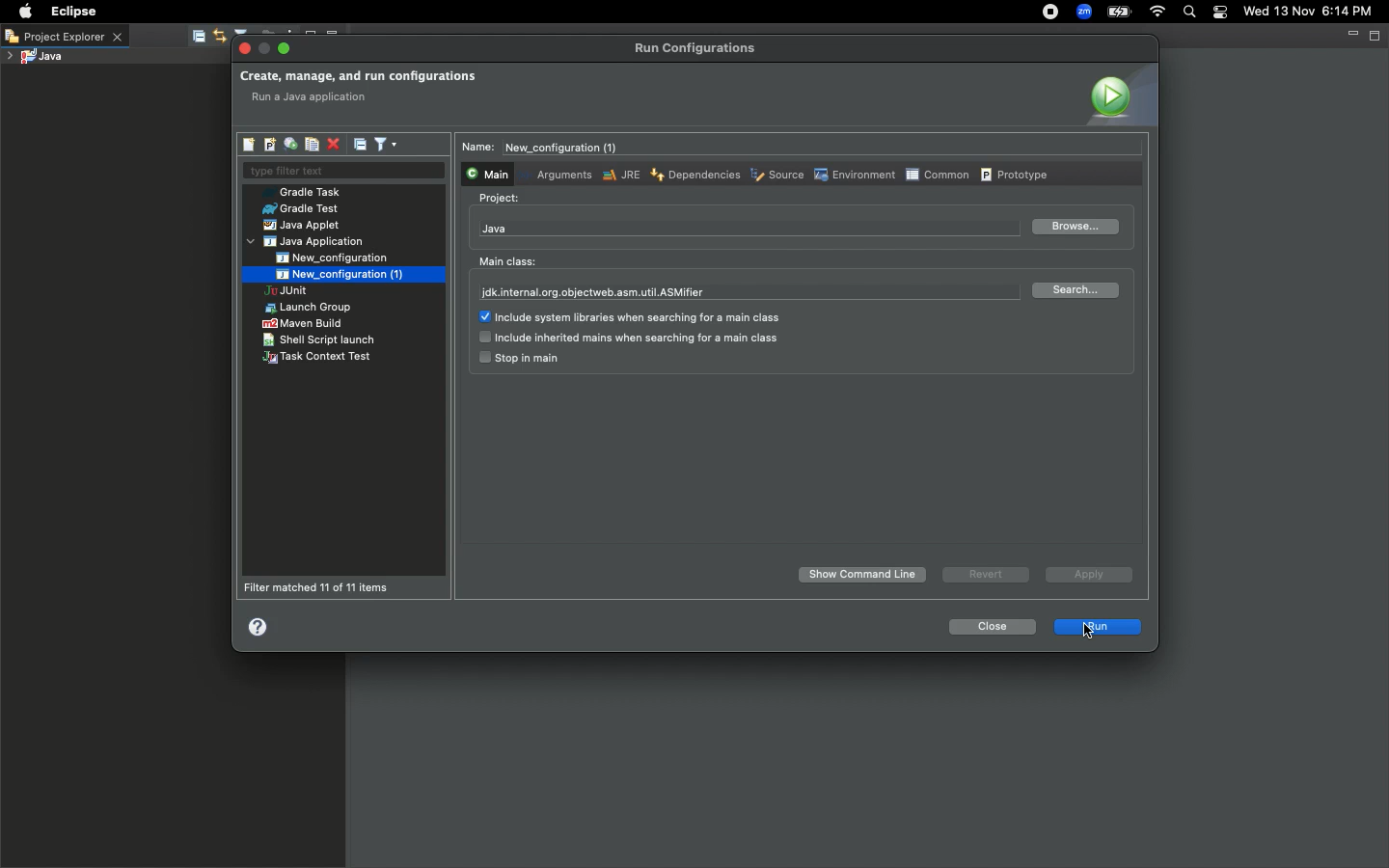 The image size is (1389, 868). I want to click on Close, so click(990, 627).